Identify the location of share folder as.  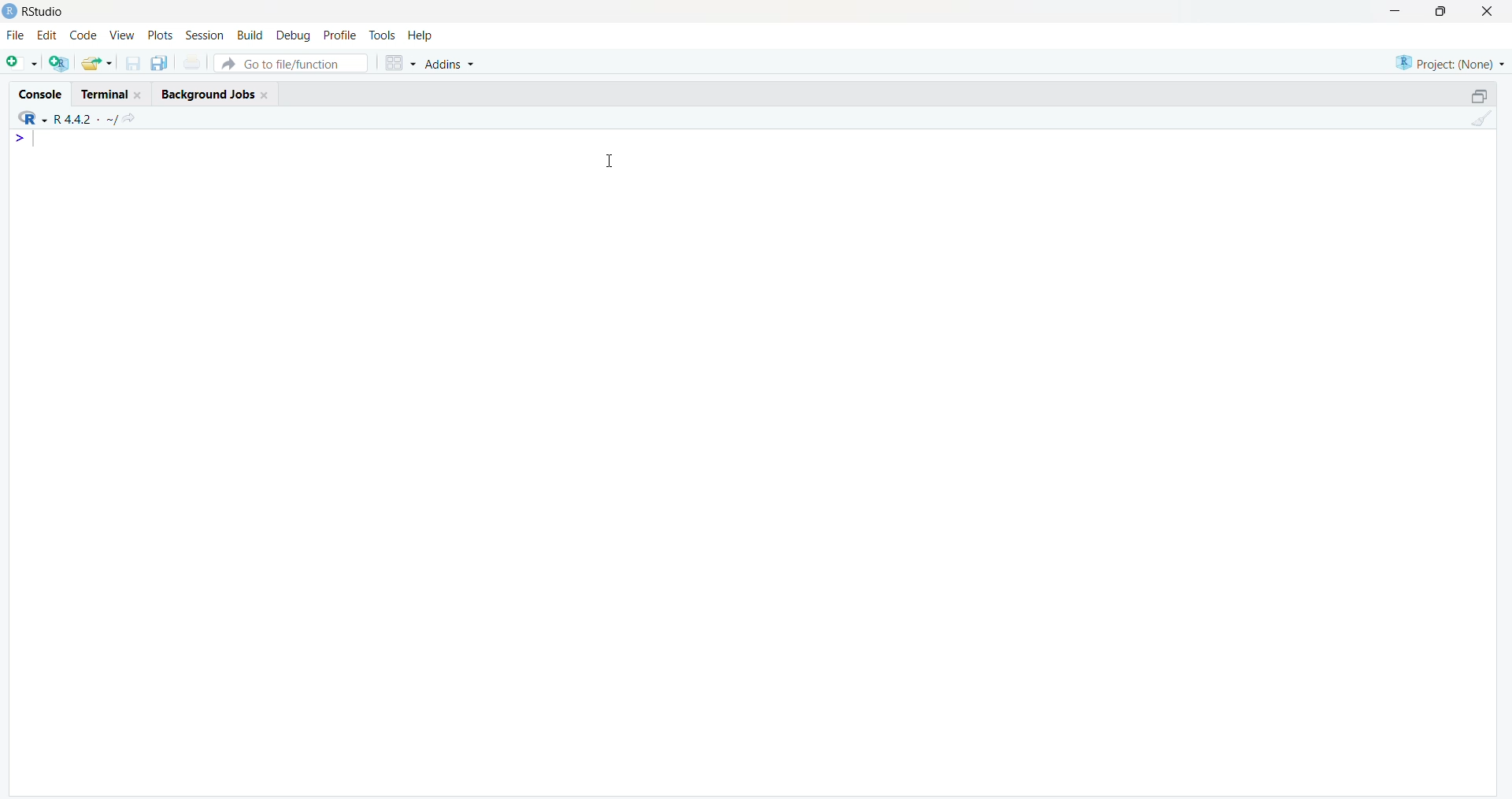
(98, 63).